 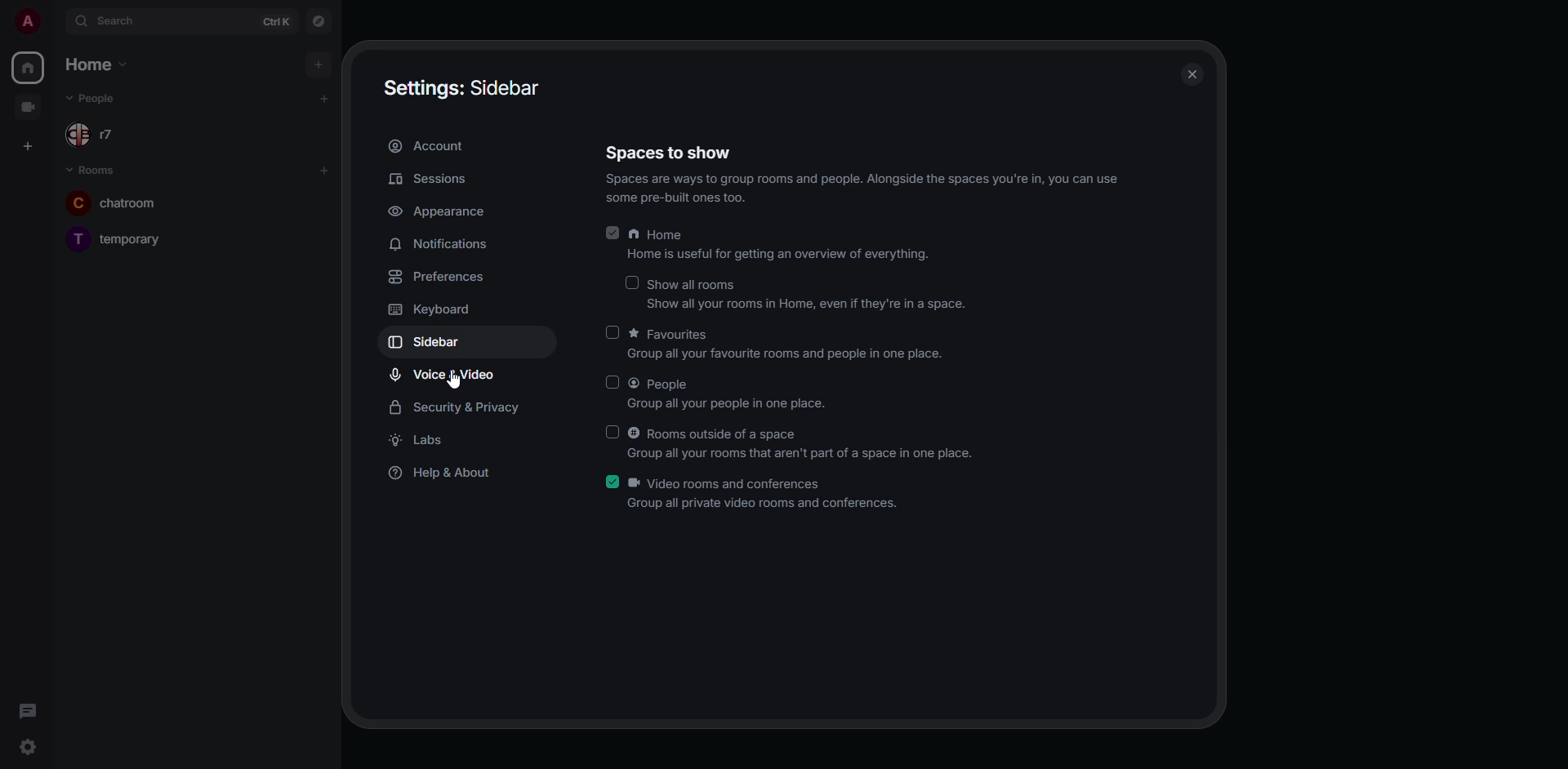 I want to click on click to enable, so click(x=610, y=382).